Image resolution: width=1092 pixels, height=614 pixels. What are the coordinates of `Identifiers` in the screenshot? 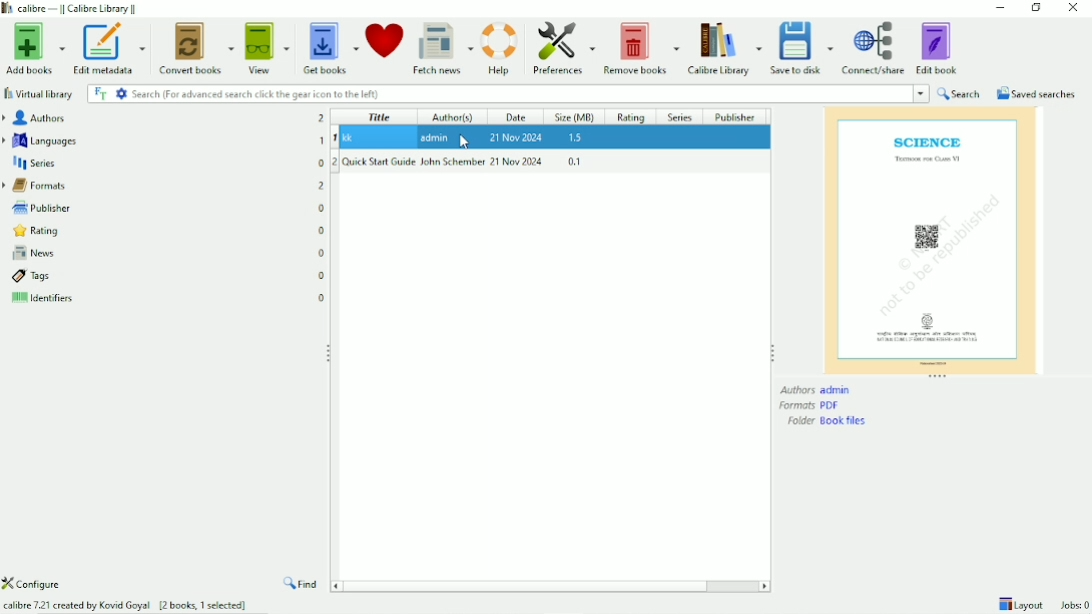 It's located at (169, 298).